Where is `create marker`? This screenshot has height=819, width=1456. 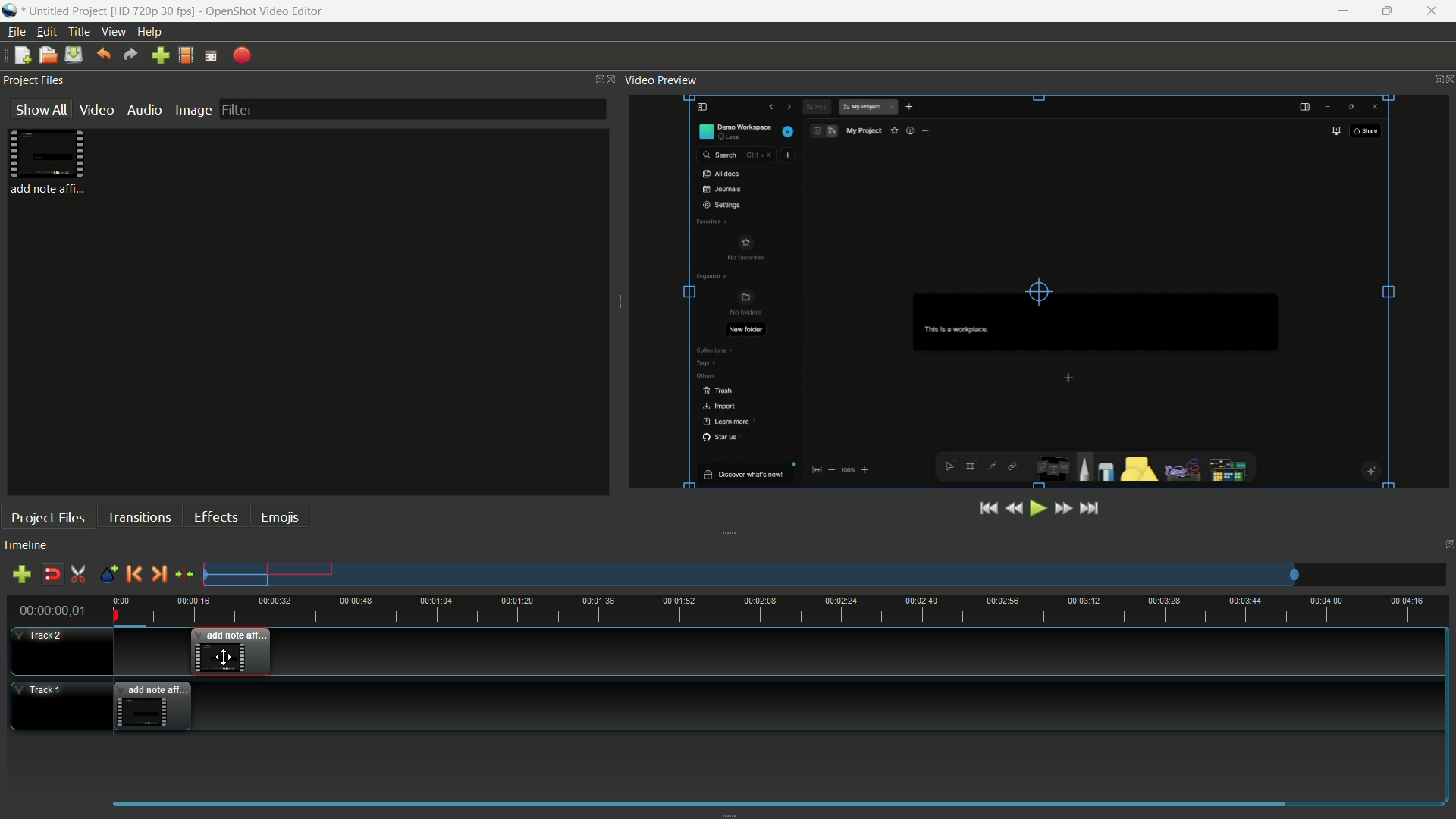 create marker is located at coordinates (108, 575).